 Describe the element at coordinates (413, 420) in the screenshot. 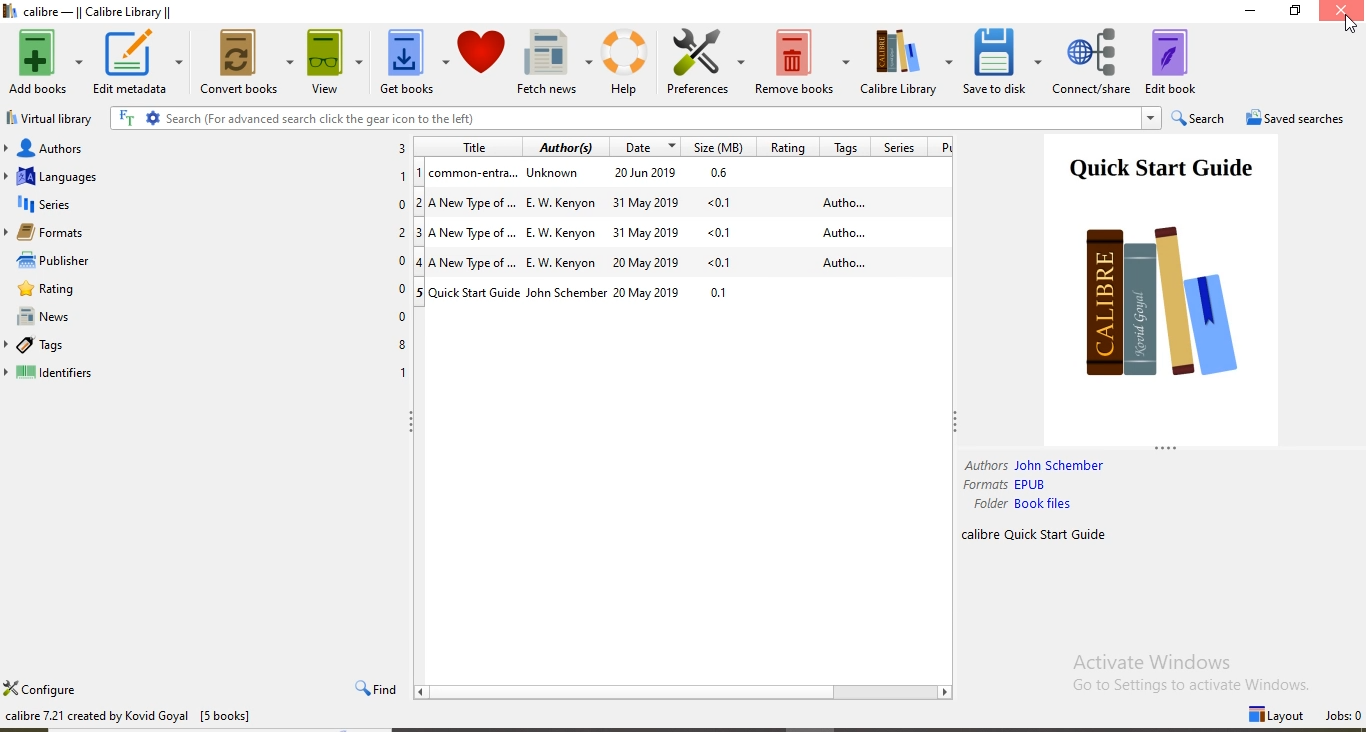

I see `Hide` at that location.